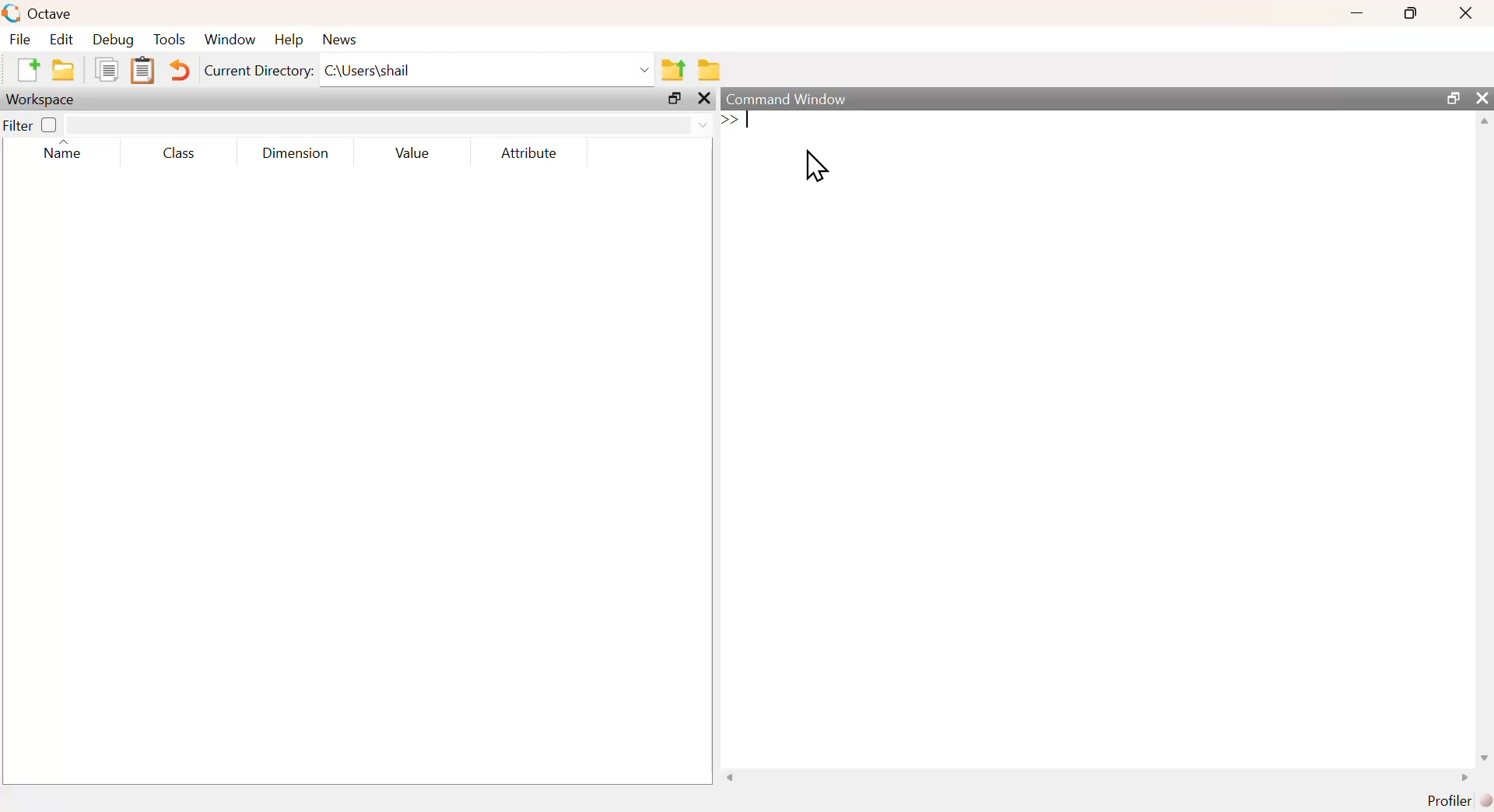 This screenshot has width=1494, height=812. I want to click on browse directories, so click(708, 70).